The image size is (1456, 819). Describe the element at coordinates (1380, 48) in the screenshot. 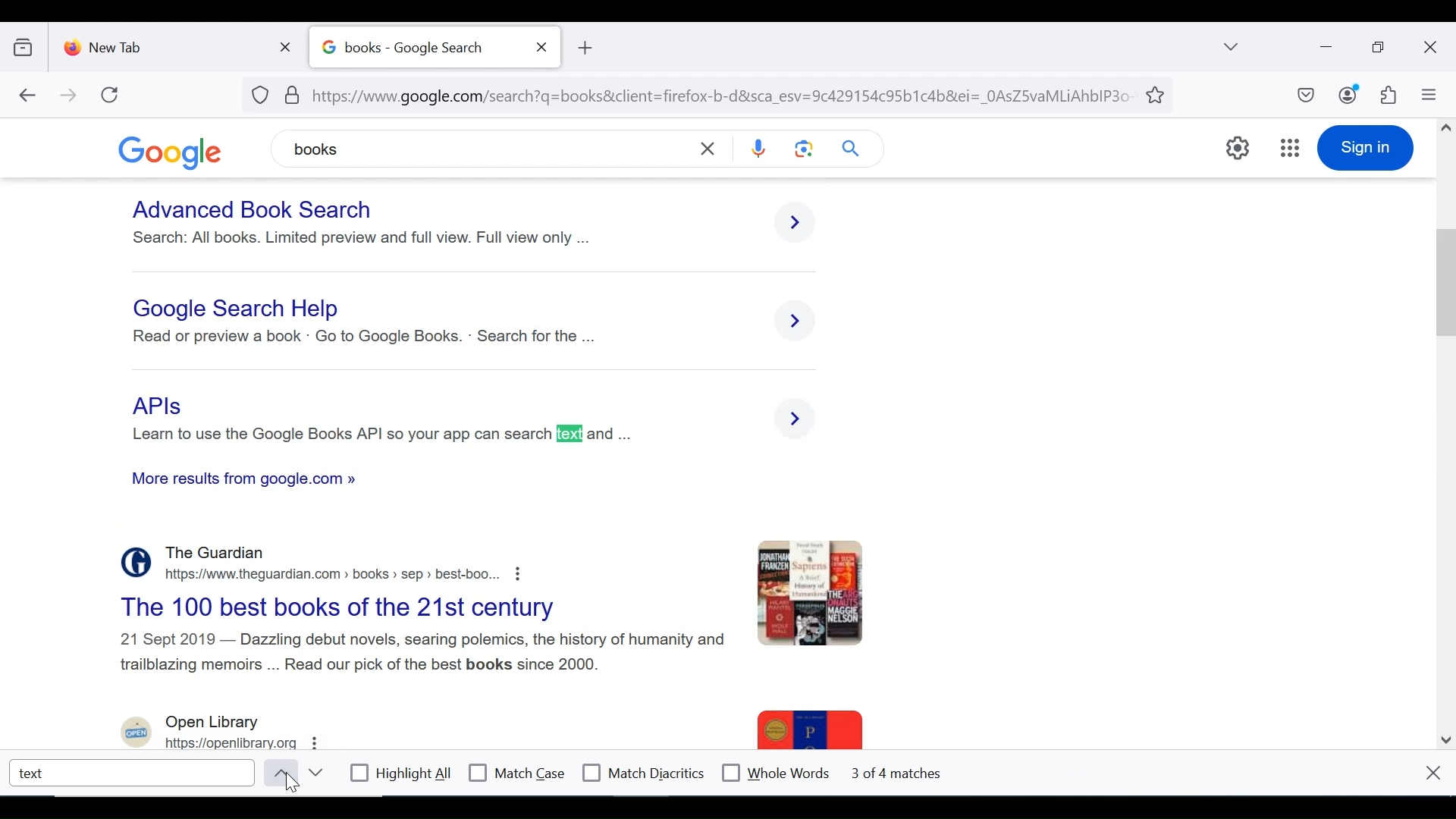

I see `restore` at that location.